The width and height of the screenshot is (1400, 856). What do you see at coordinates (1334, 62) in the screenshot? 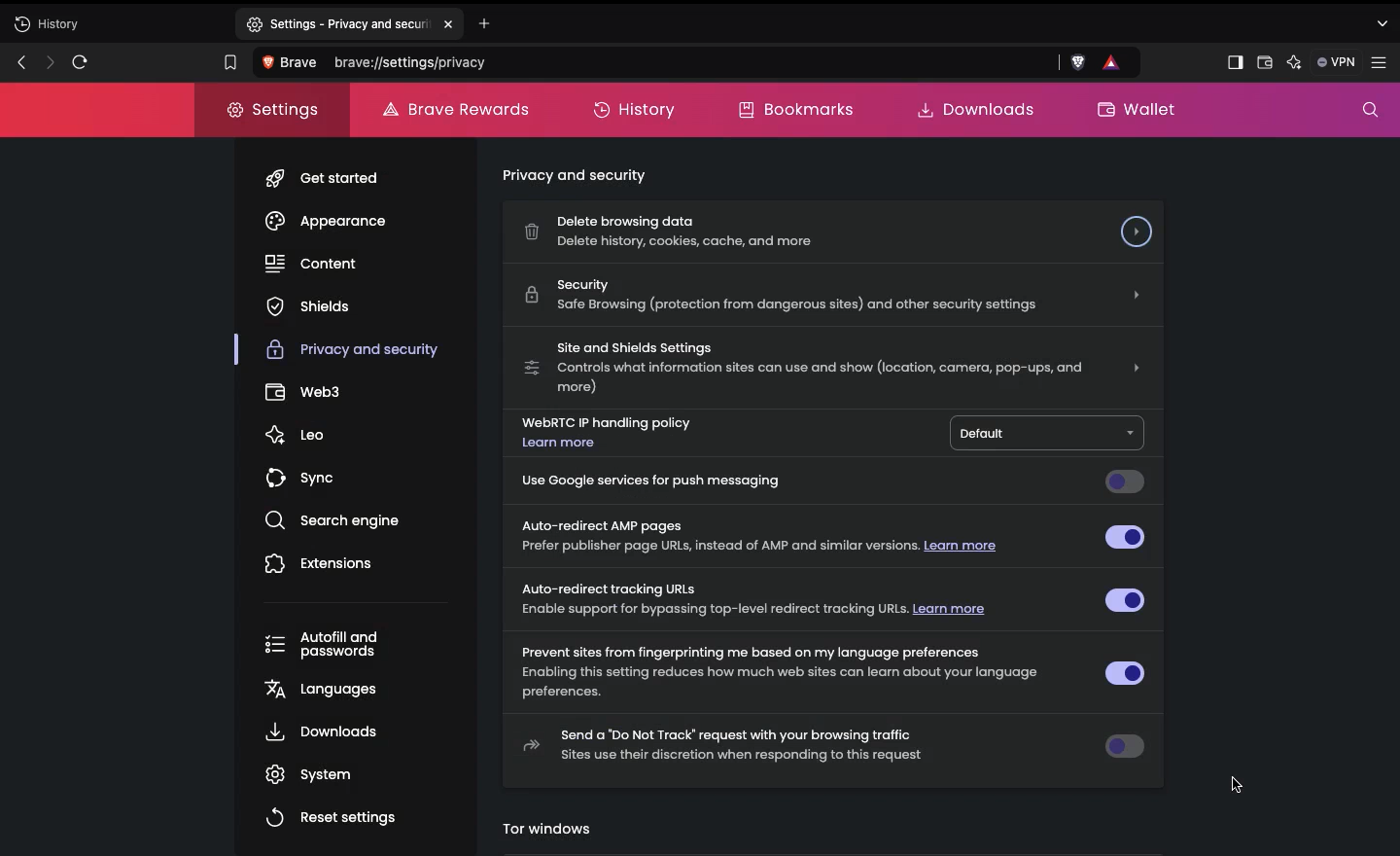
I see `VPN` at bounding box center [1334, 62].